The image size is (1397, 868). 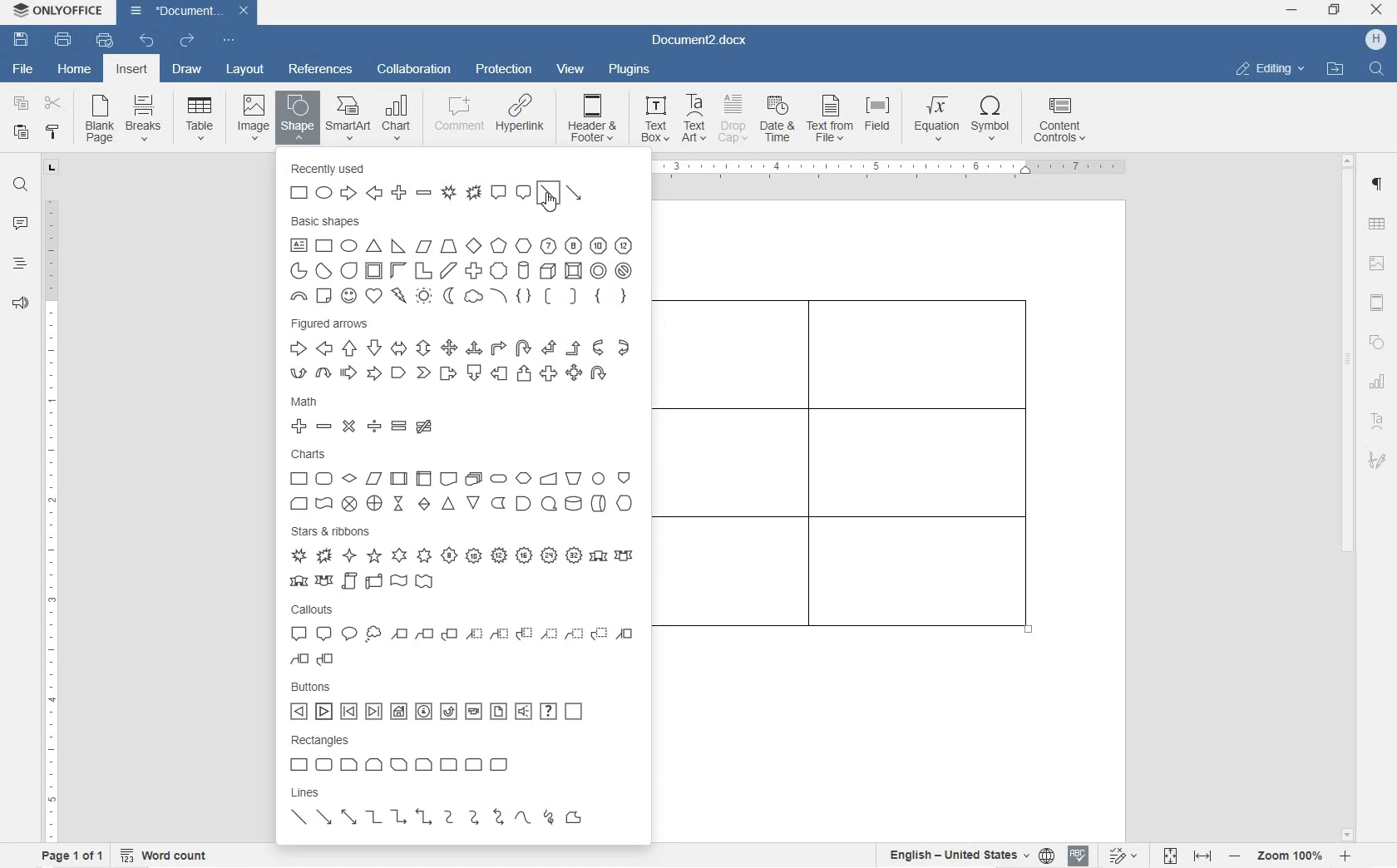 What do you see at coordinates (52, 104) in the screenshot?
I see `cut` at bounding box center [52, 104].